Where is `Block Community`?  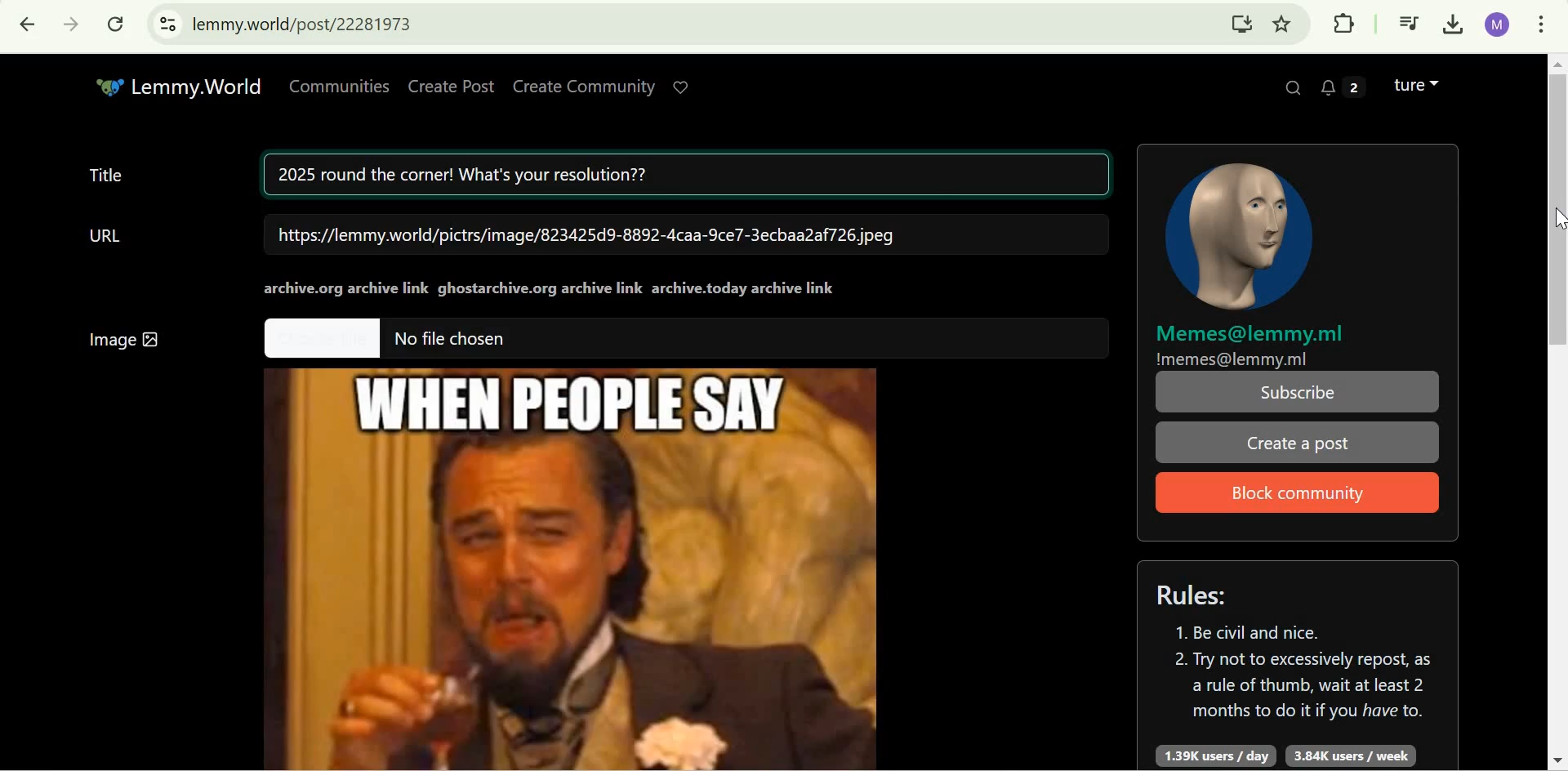 Block Community is located at coordinates (1297, 493).